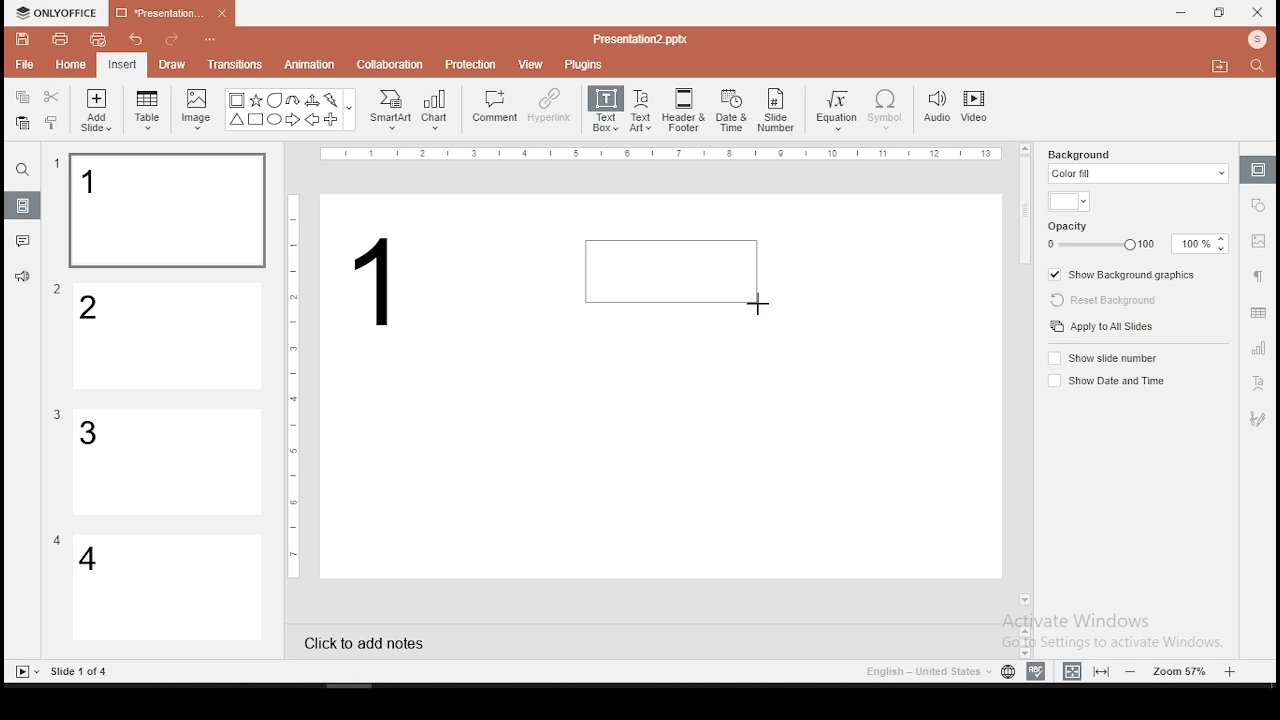 This screenshot has height=720, width=1280. I want to click on insert, so click(121, 64).